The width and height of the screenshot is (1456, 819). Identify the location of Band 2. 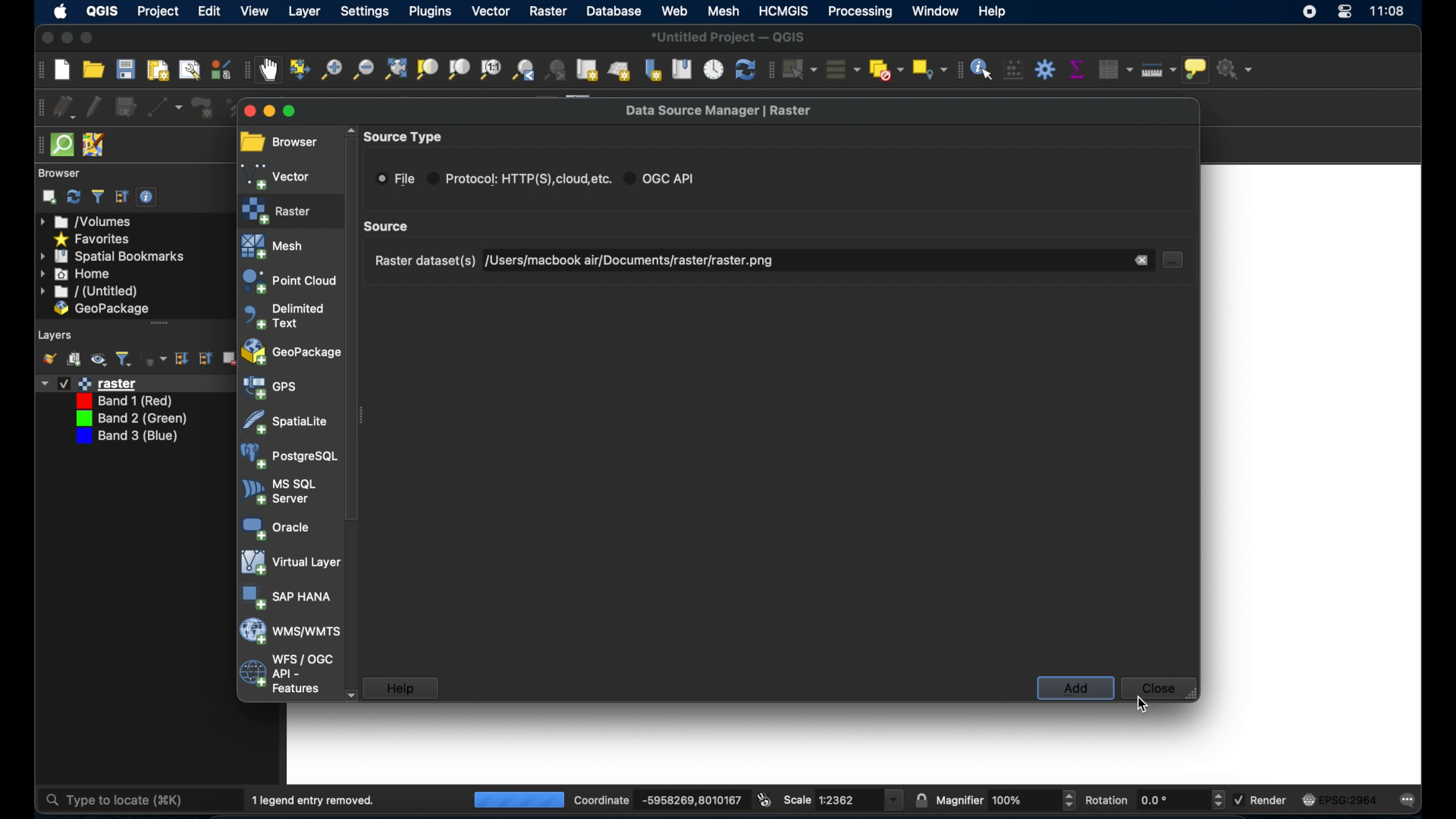
(131, 419).